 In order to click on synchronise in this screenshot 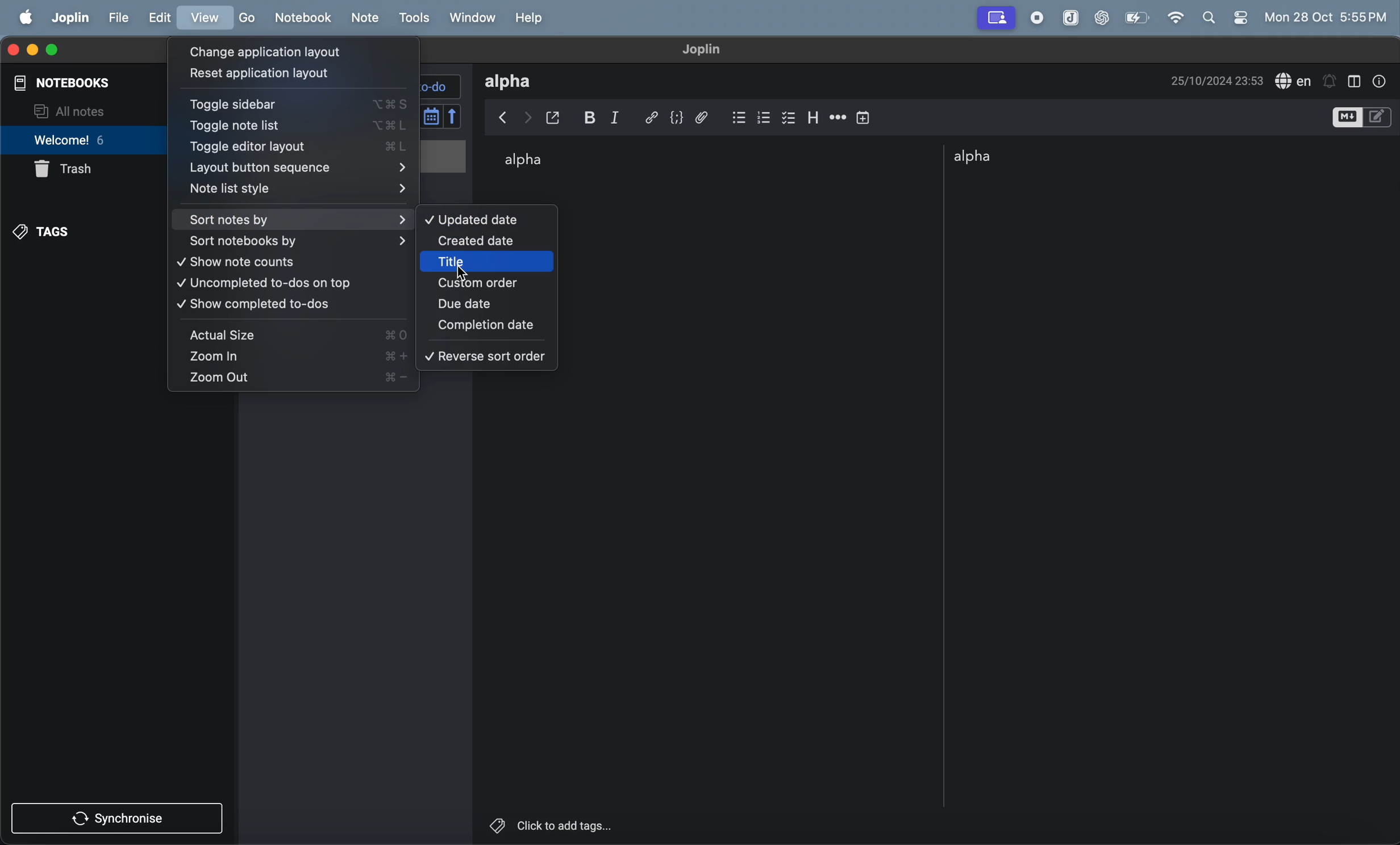, I will do `click(121, 821)`.